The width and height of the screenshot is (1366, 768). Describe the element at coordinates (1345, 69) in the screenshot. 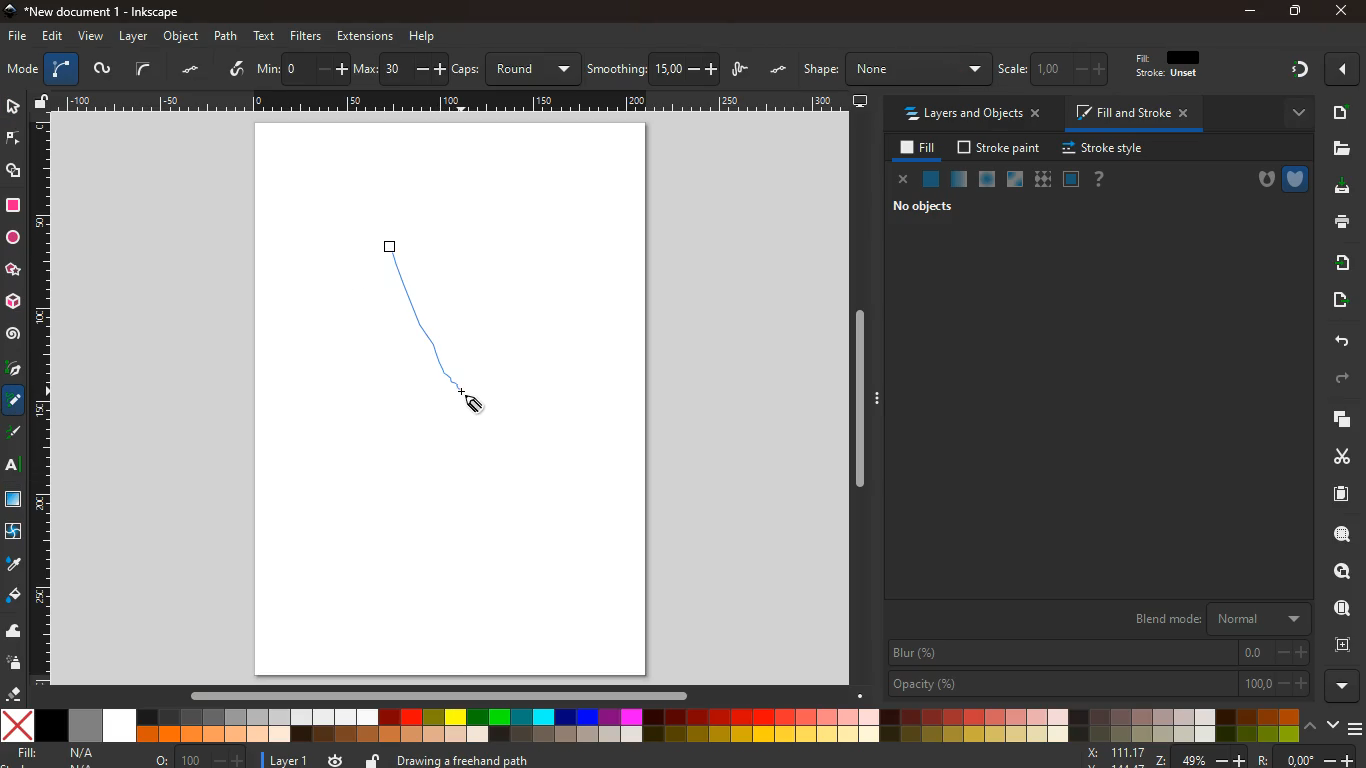

I see `more` at that location.